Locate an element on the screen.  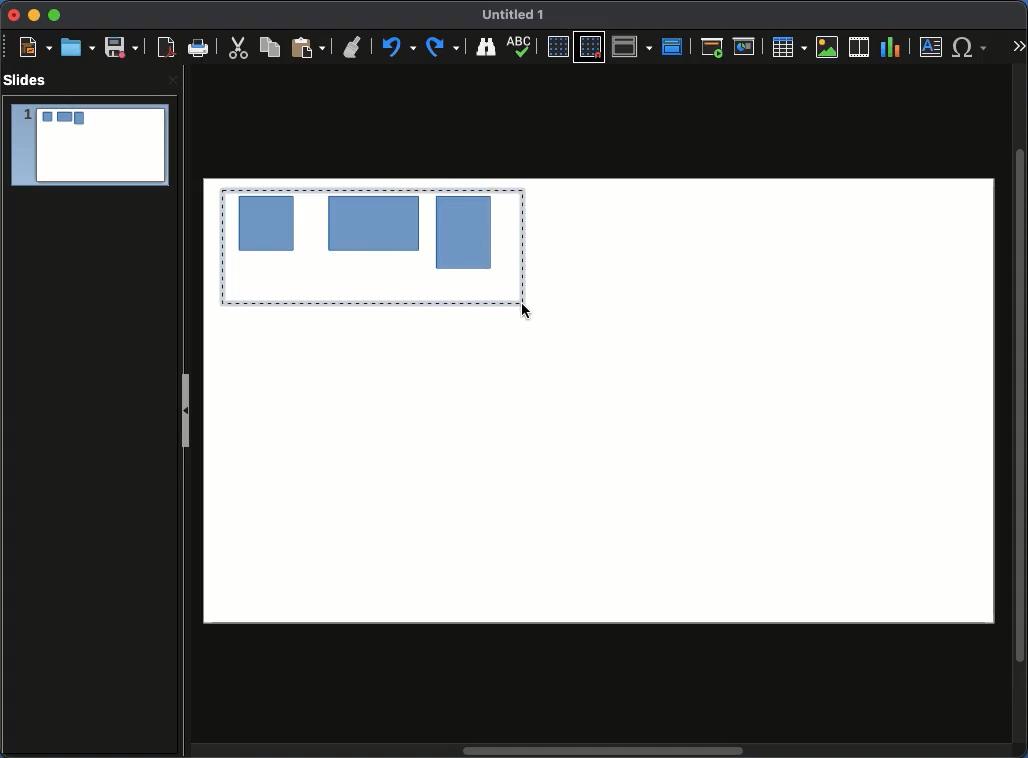
Cute is located at coordinates (240, 50).